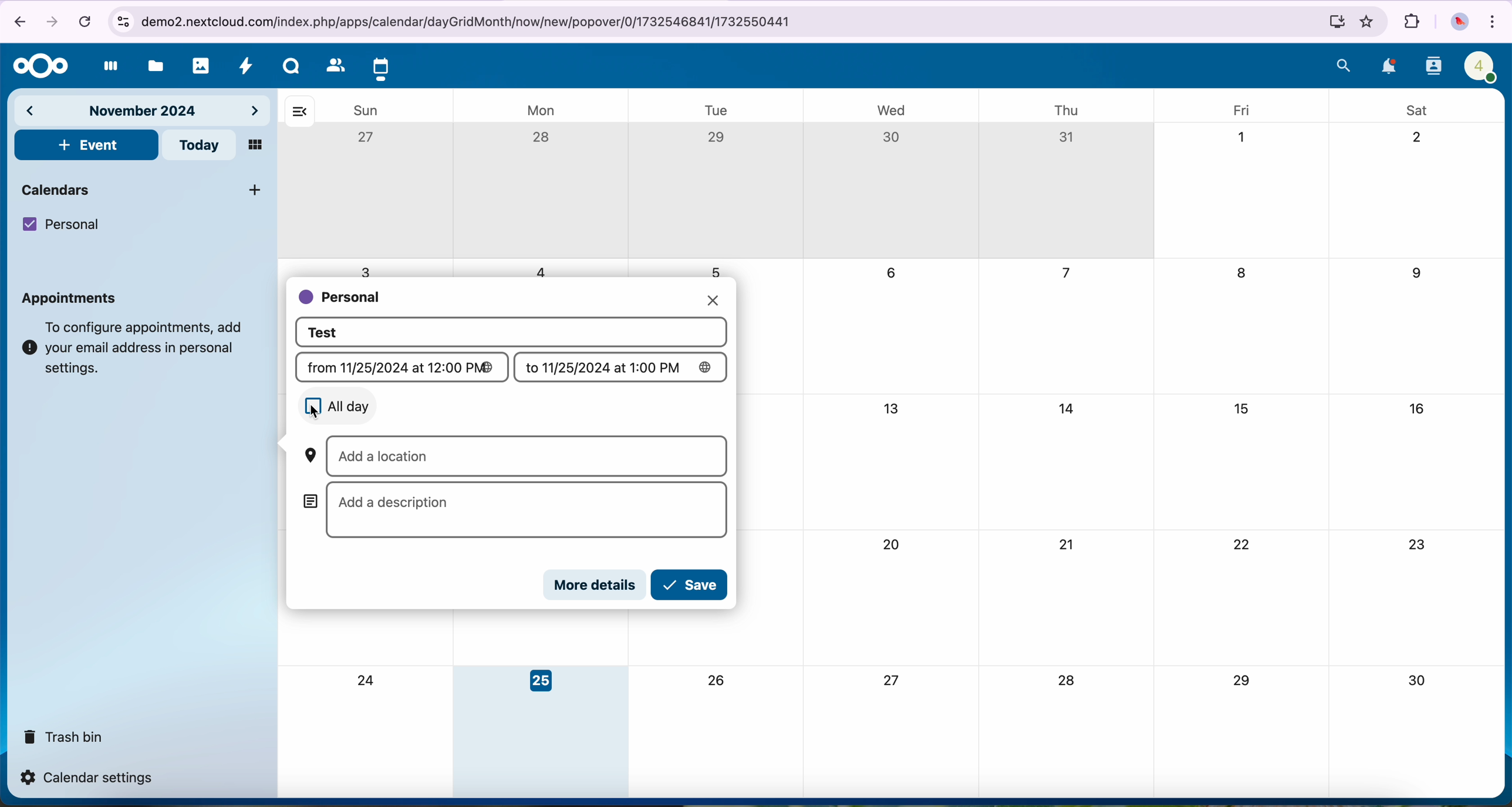  What do you see at coordinates (690, 585) in the screenshot?
I see `click on save button` at bounding box center [690, 585].